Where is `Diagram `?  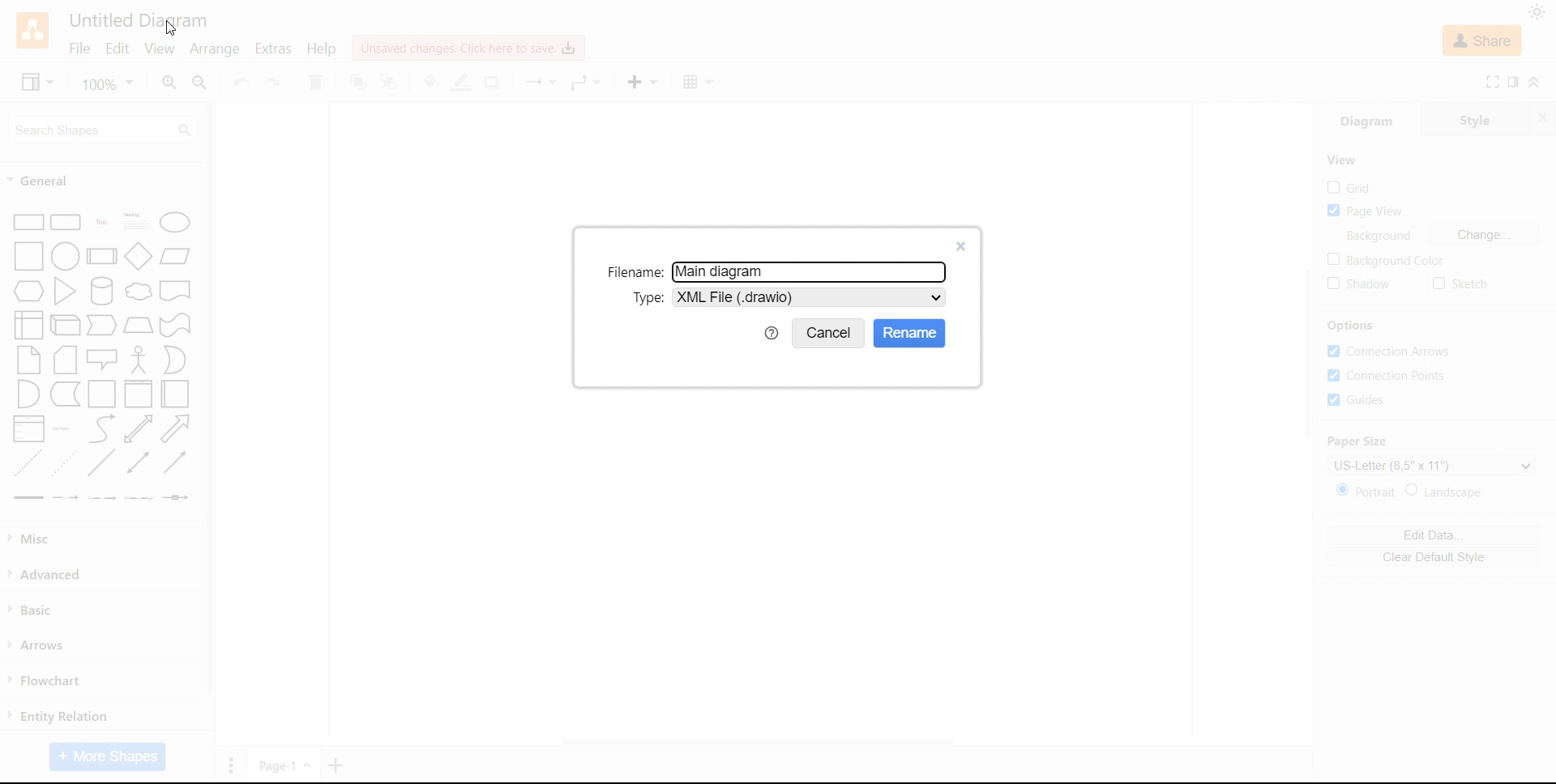
Diagram  is located at coordinates (1366, 118).